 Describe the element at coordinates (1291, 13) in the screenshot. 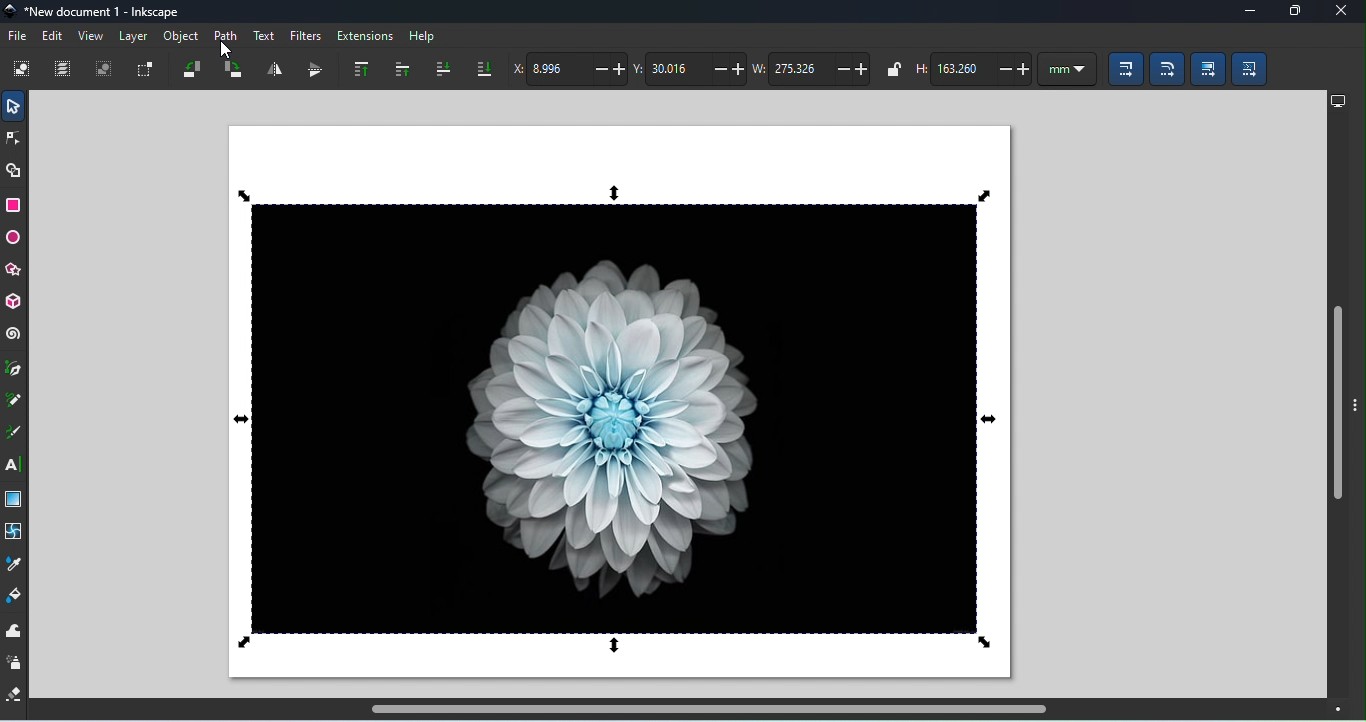

I see `Maximize` at that location.